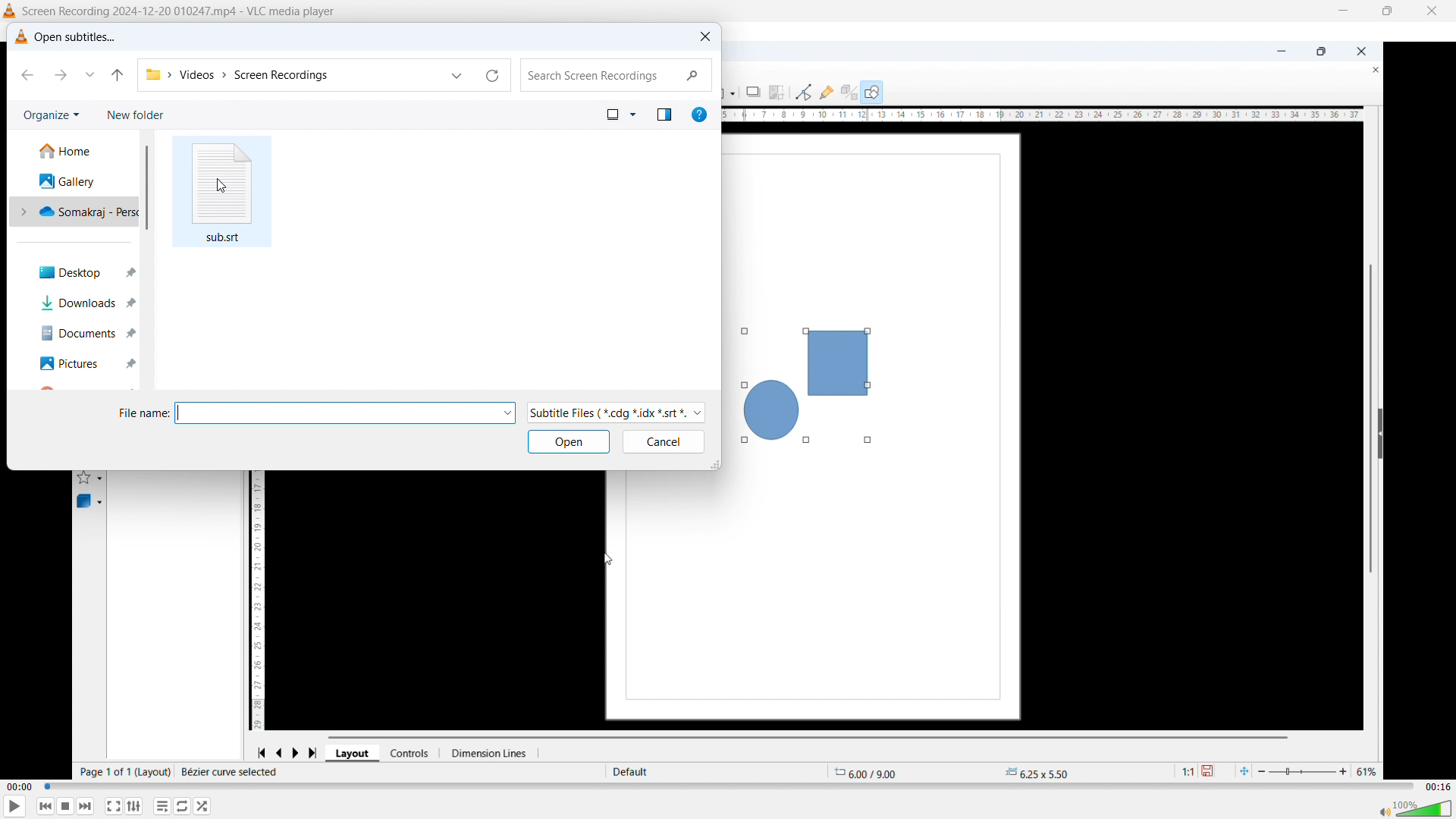 The height and width of the screenshot is (819, 1456). Describe the element at coordinates (184, 806) in the screenshot. I see `Toggle between loop all, loop one and no loop ` at that location.